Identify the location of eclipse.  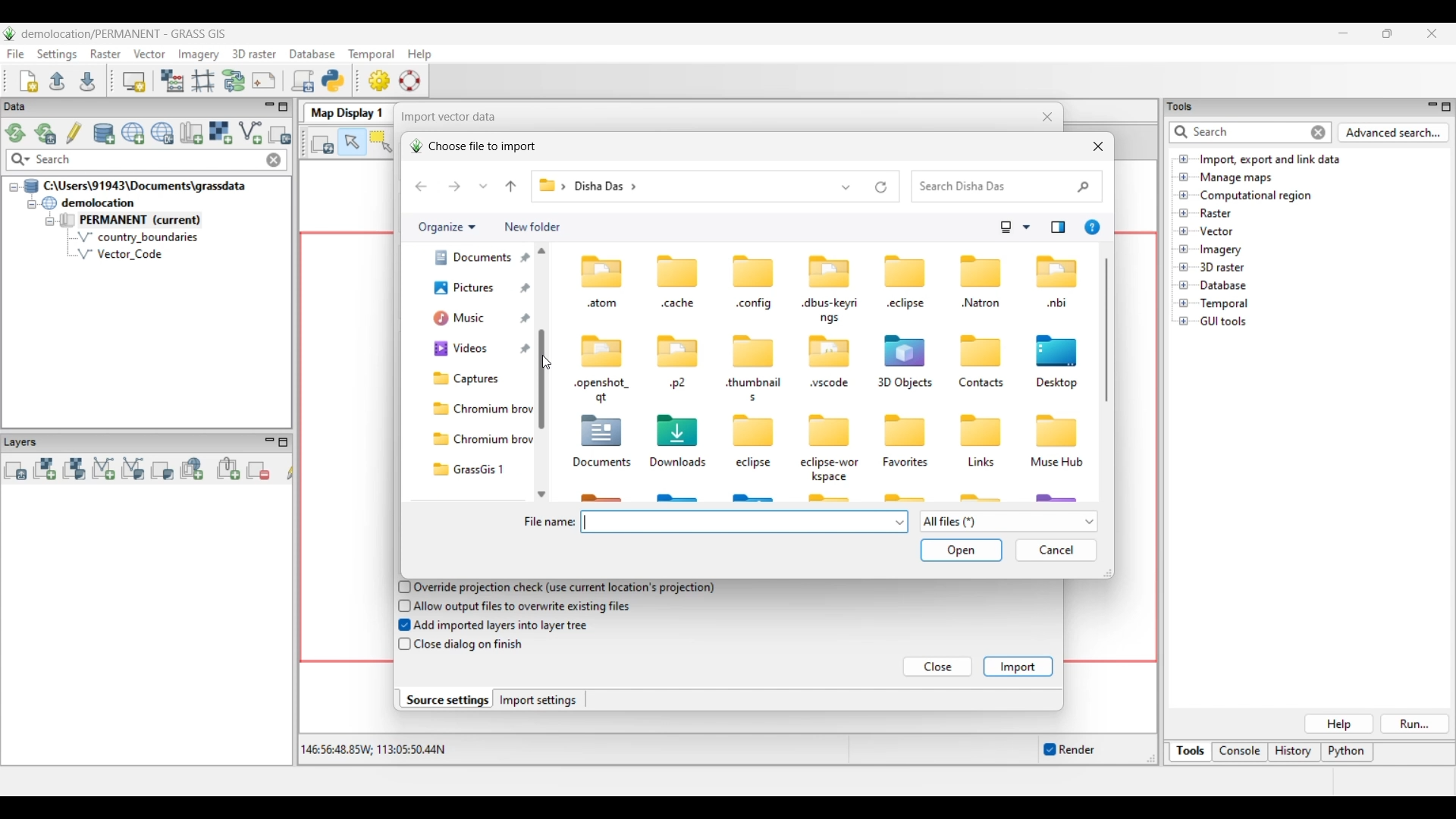
(755, 464).